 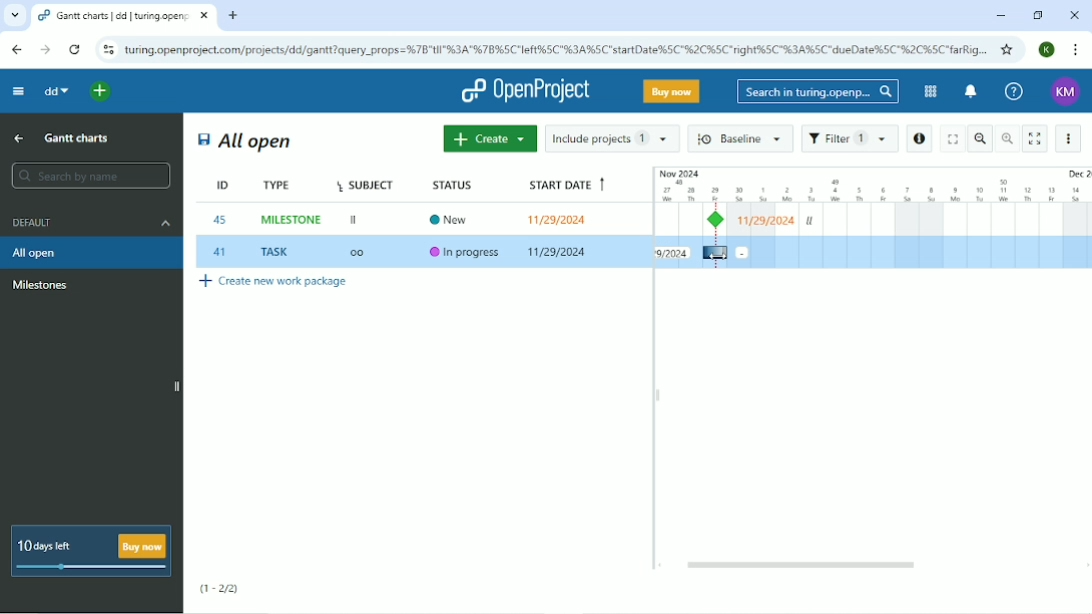 What do you see at coordinates (929, 91) in the screenshot?
I see `Modules` at bounding box center [929, 91].